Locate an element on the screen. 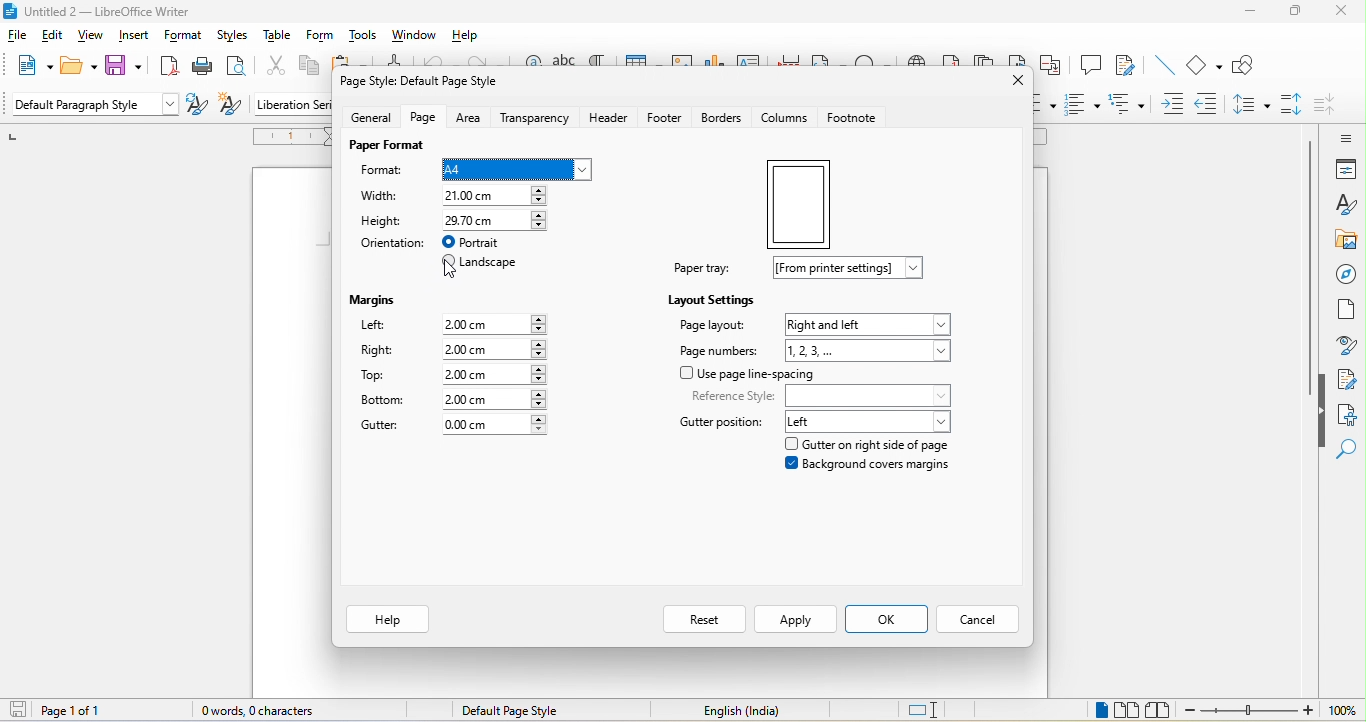 Image resolution: width=1366 pixels, height=722 pixels. cursor movement is located at coordinates (451, 274).